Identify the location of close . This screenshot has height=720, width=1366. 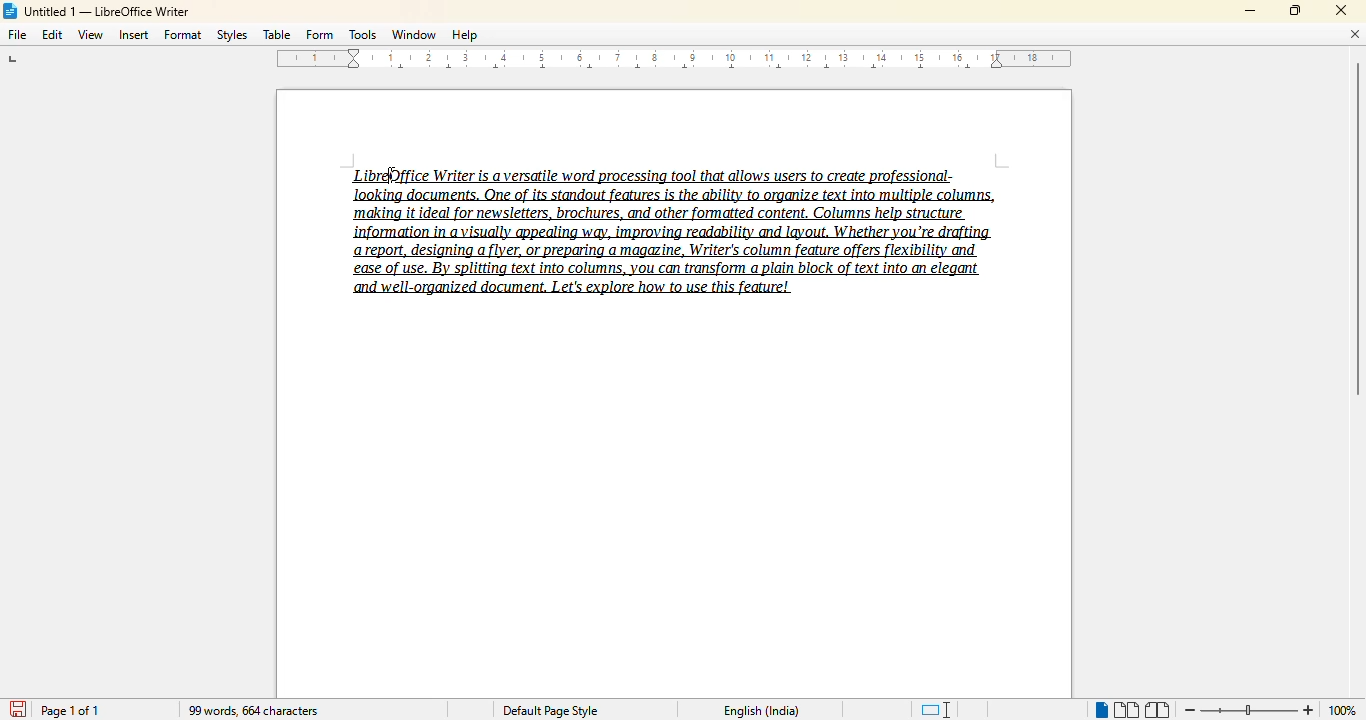
(1341, 10).